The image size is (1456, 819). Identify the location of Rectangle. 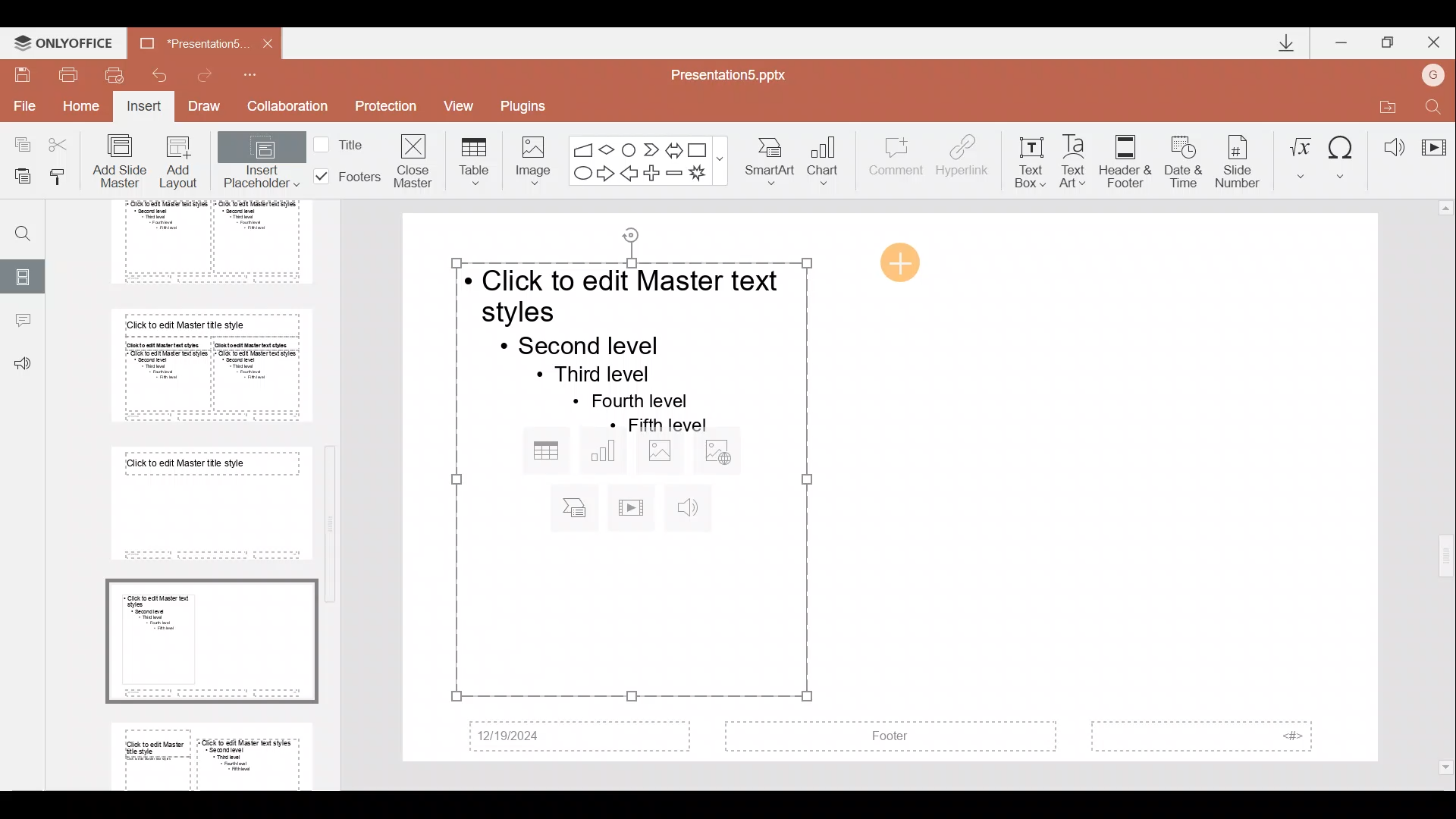
(699, 148).